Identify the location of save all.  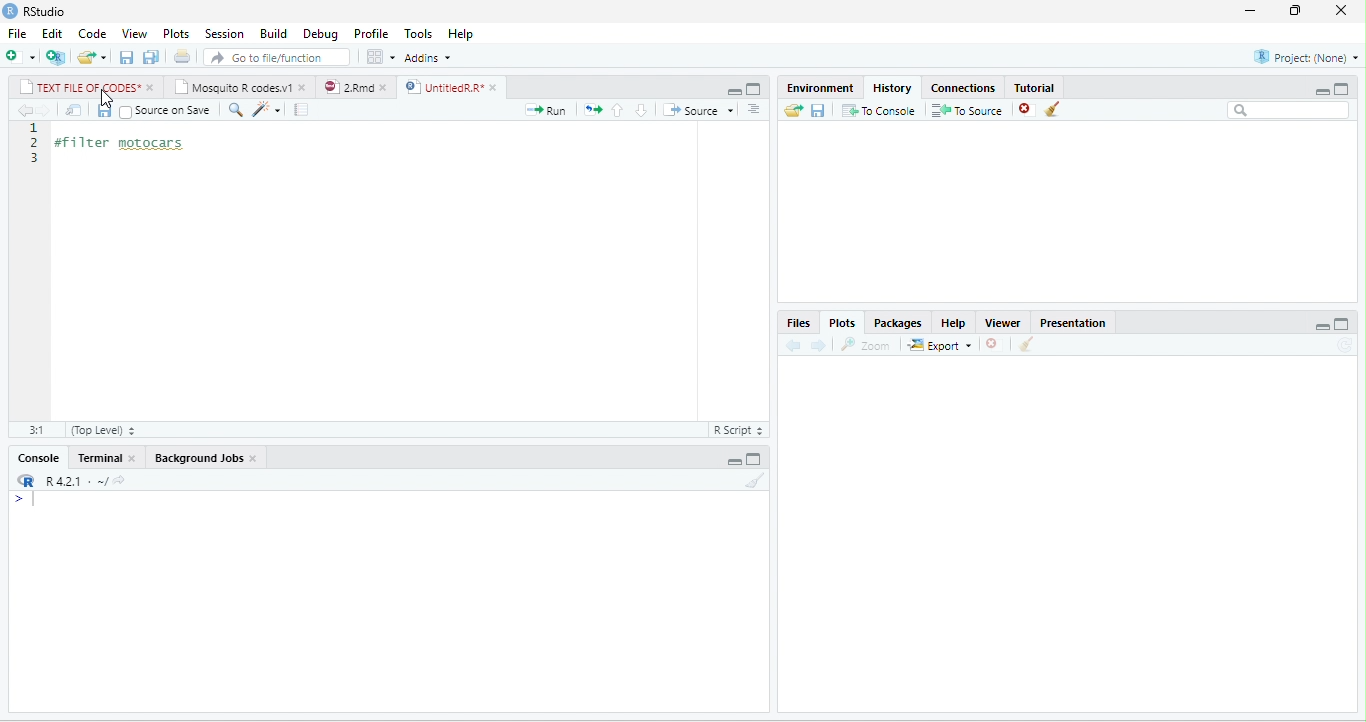
(150, 57).